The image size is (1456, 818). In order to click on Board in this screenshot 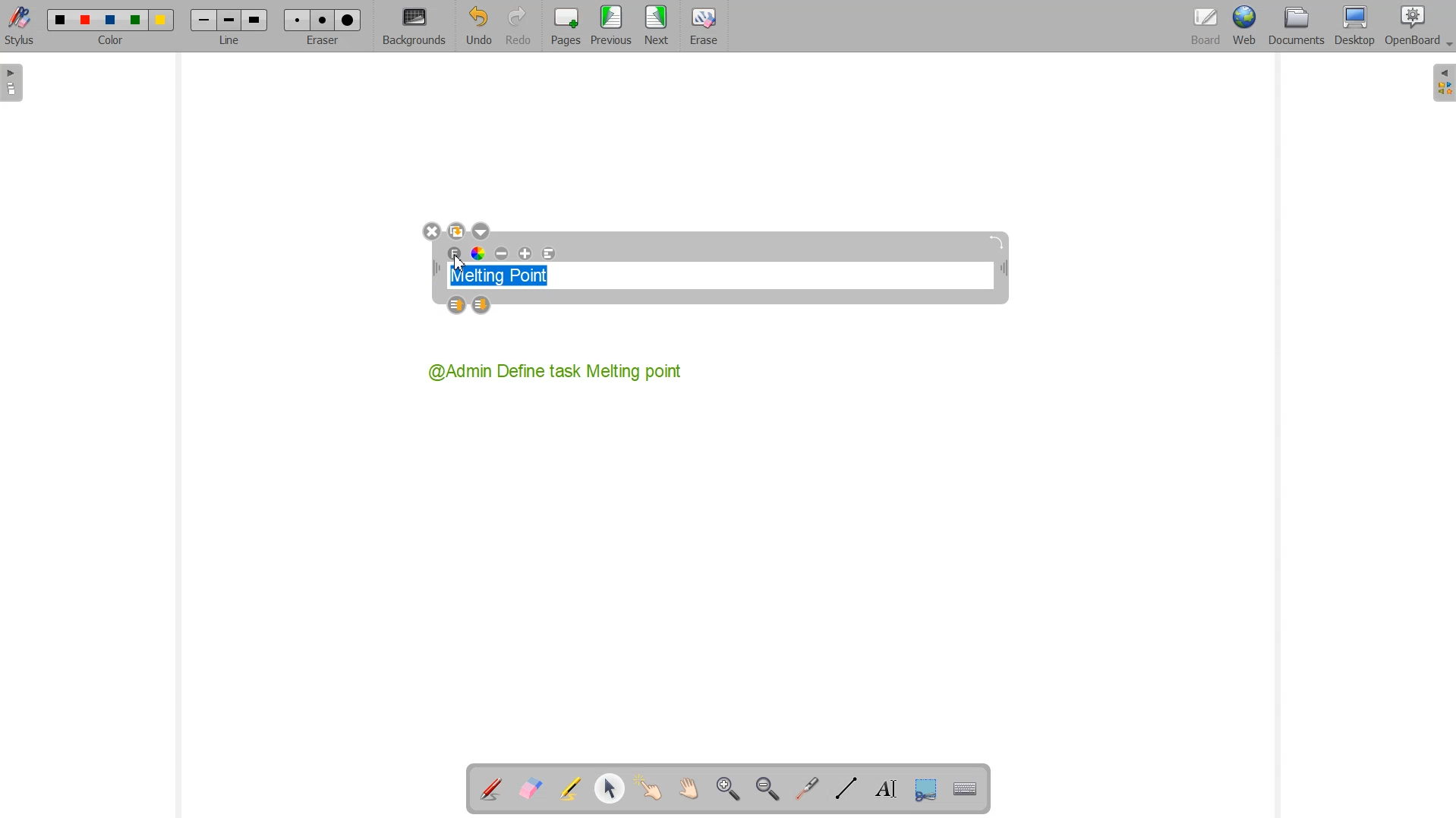, I will do `click(1203, 27)`.